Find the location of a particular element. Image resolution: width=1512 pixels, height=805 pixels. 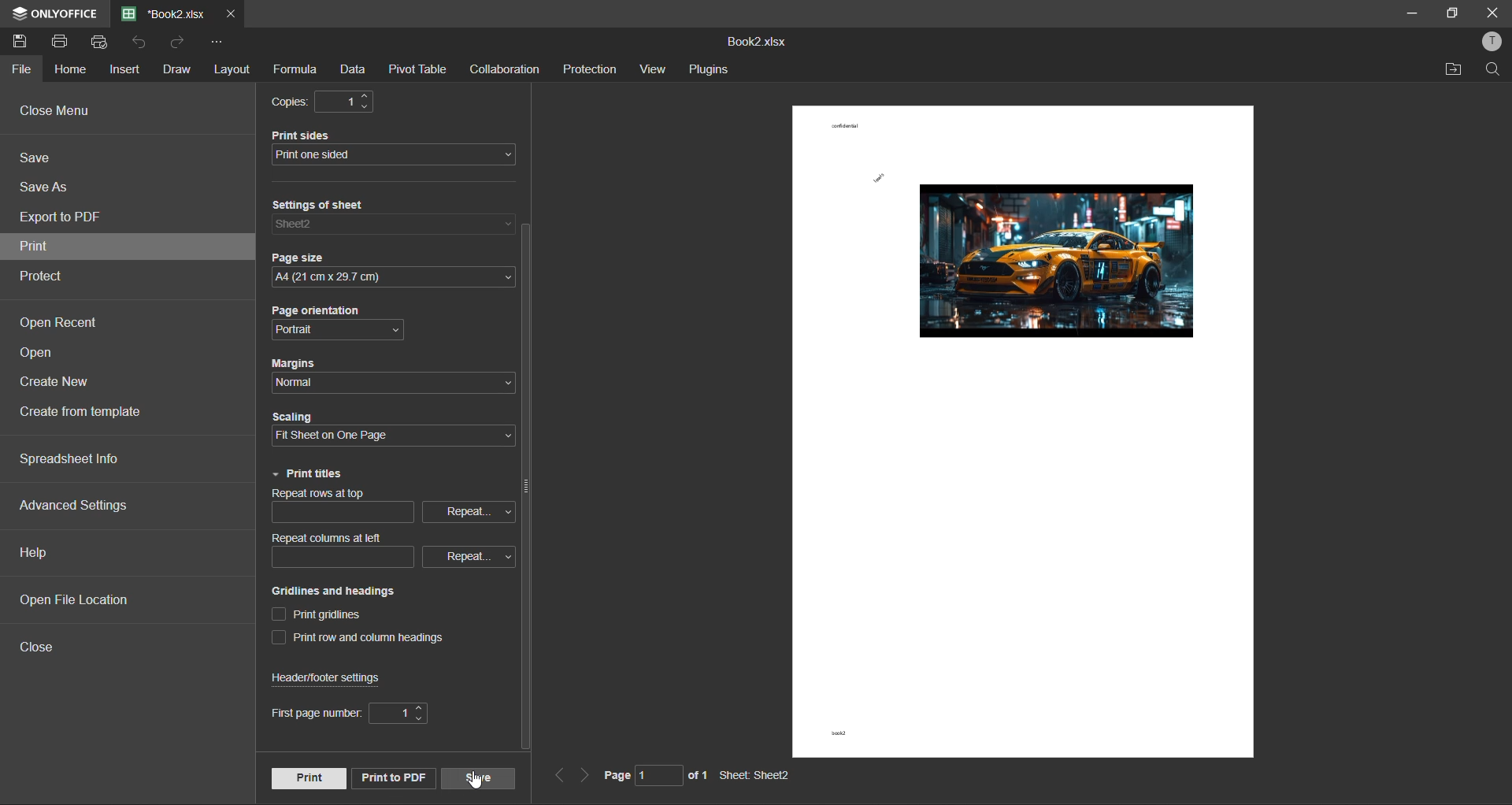

minimize is located at coordinates (1409, 13).